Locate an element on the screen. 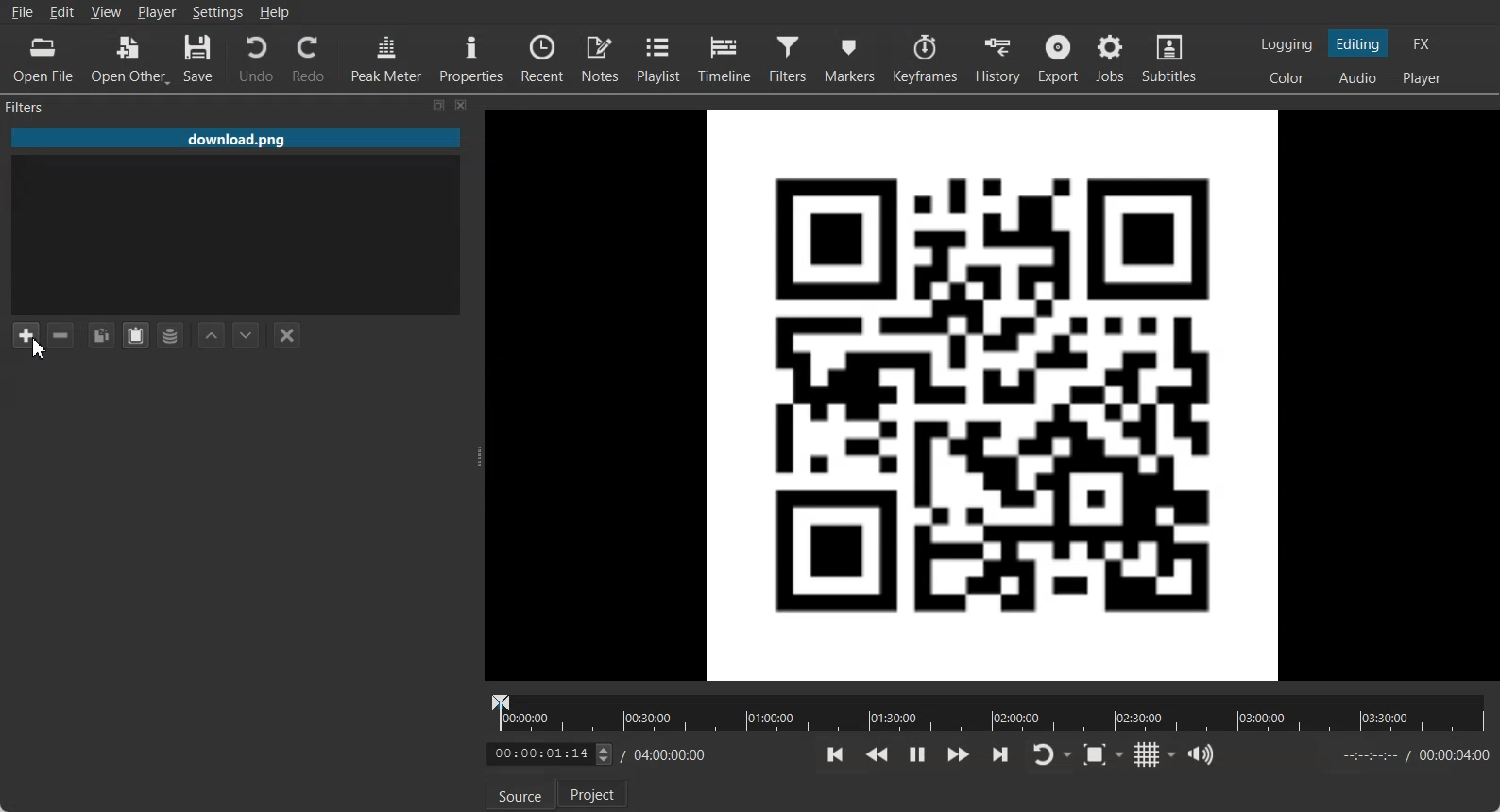 The width and height of the screenshot is (1500, 812). Drop down box is located at coordinates (1172, 754).